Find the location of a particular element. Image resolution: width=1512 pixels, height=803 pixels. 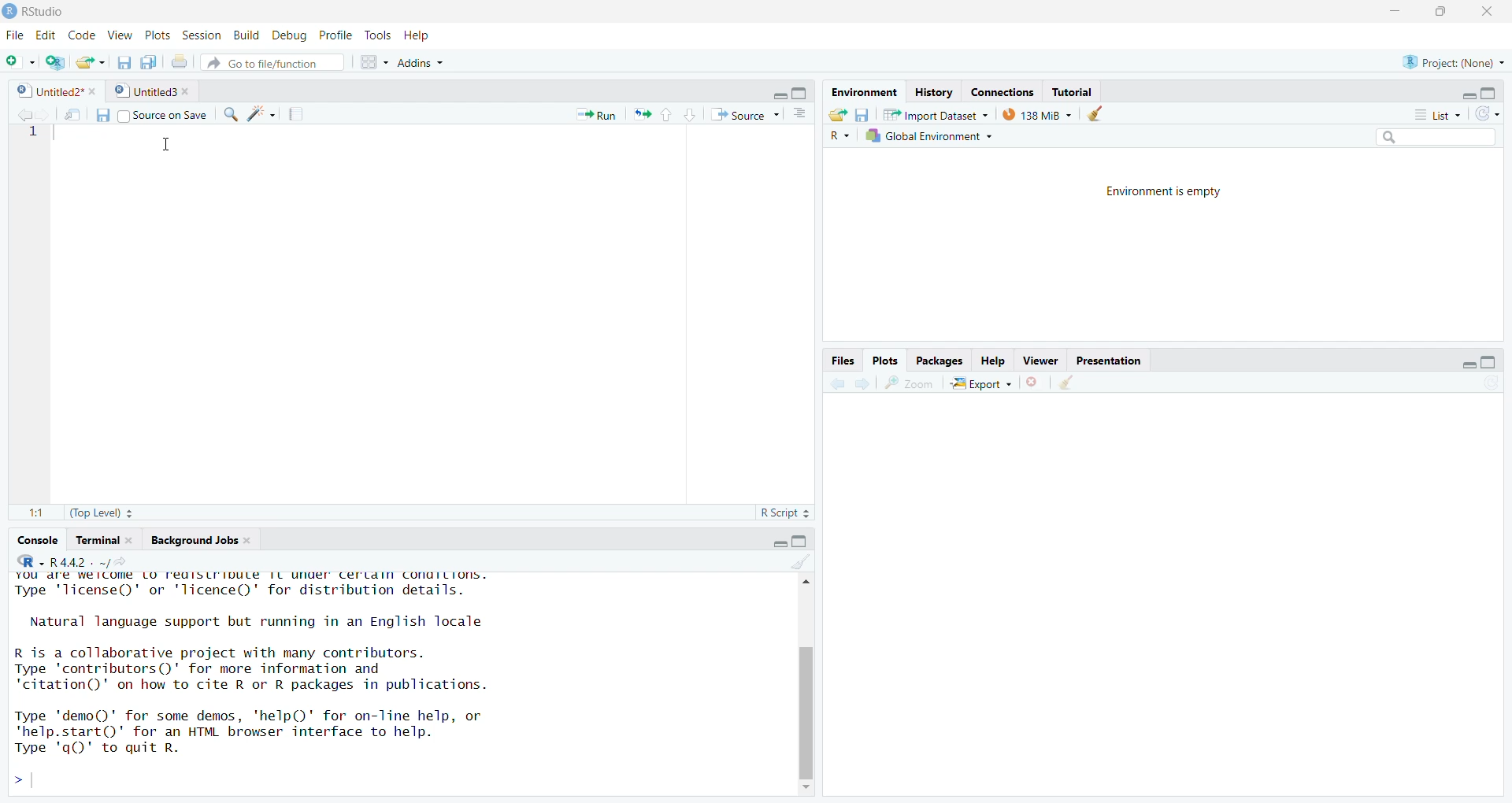

+ Source ~ is located at coordinates (743, 115).